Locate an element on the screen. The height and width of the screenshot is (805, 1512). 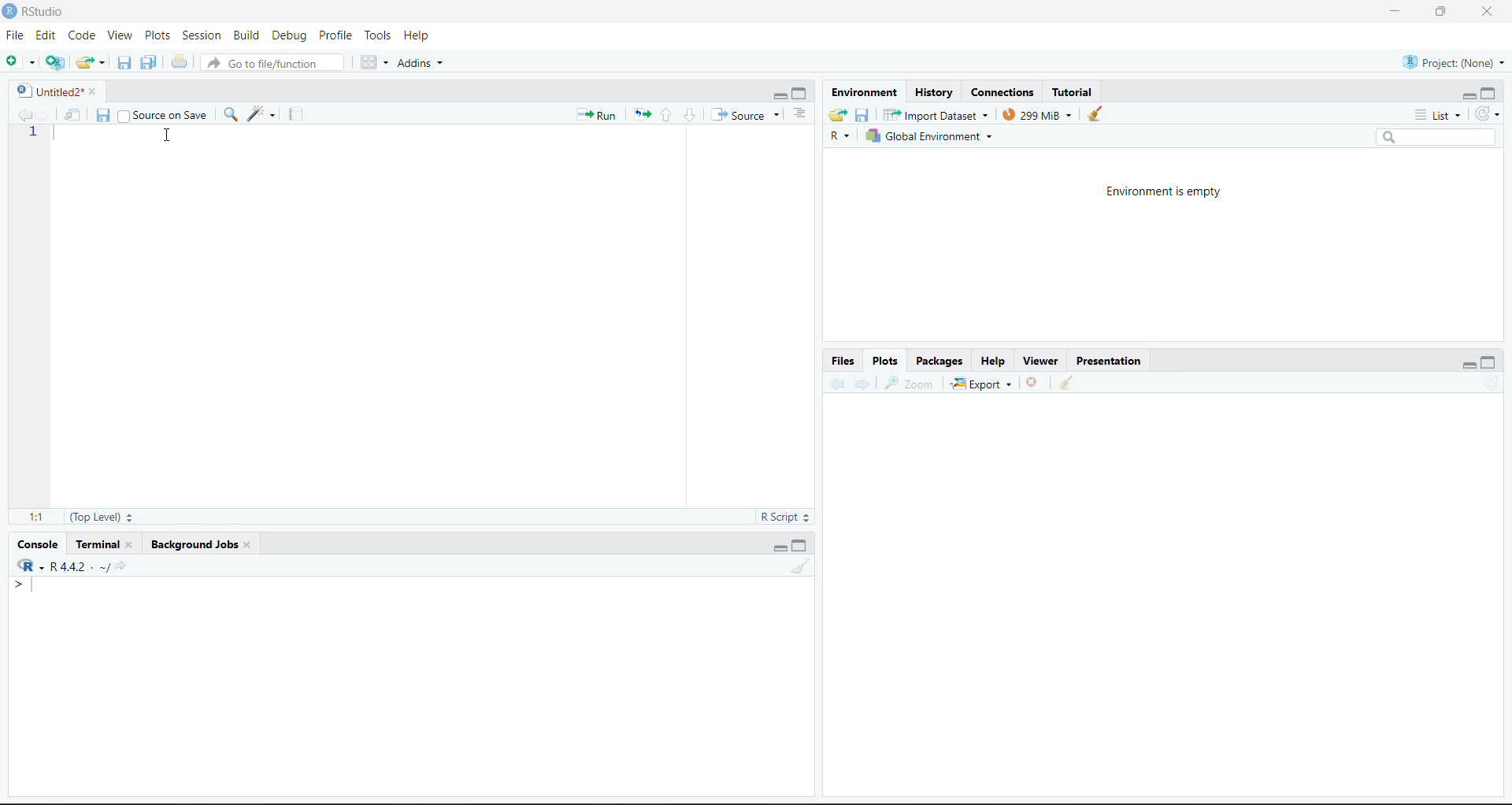
search bar is located at coordinates (1435, 137).